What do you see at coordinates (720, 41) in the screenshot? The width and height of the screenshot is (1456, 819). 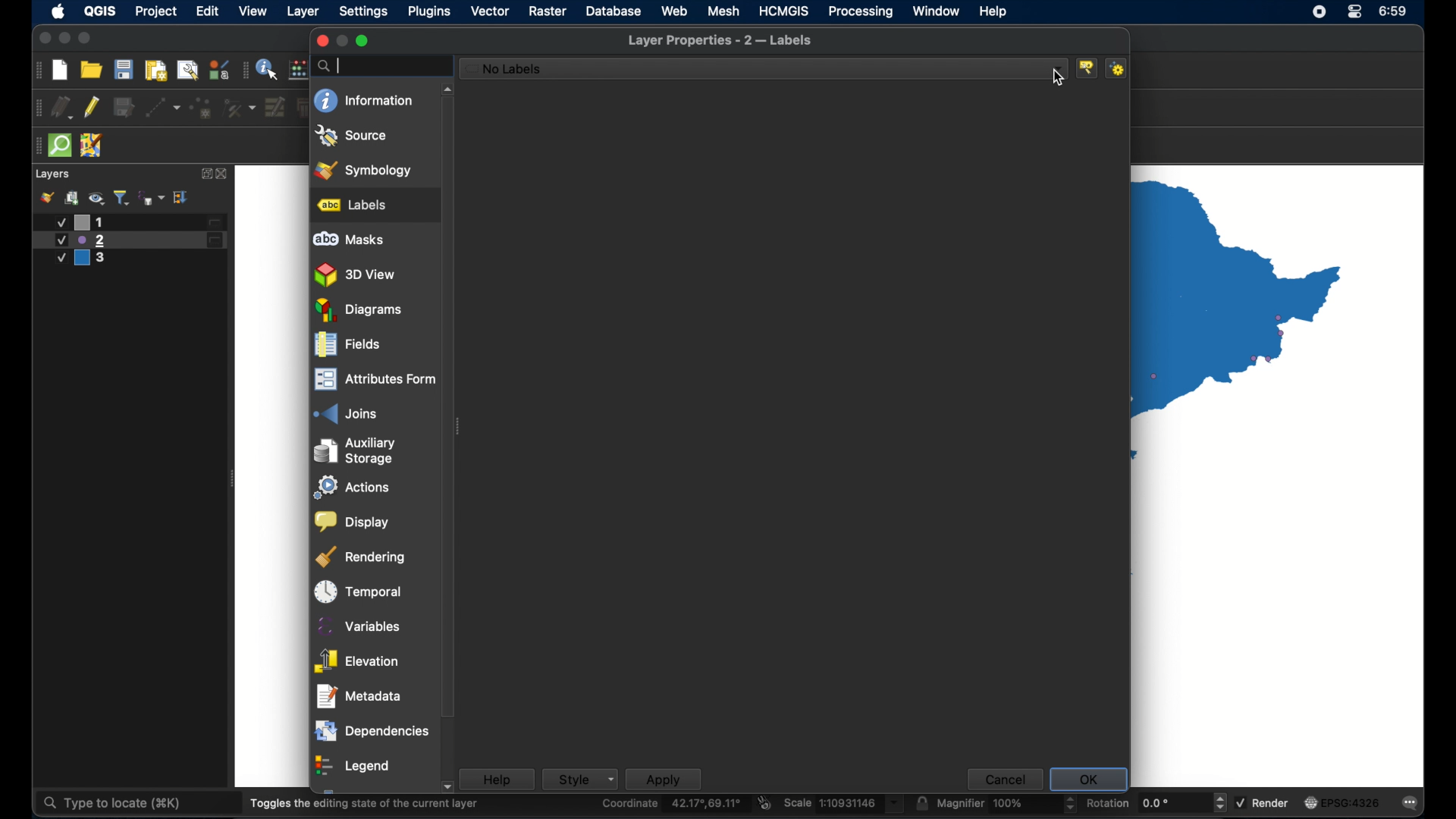 I see `layer proeprties - 2 labels` at bounding box center [720, 41].